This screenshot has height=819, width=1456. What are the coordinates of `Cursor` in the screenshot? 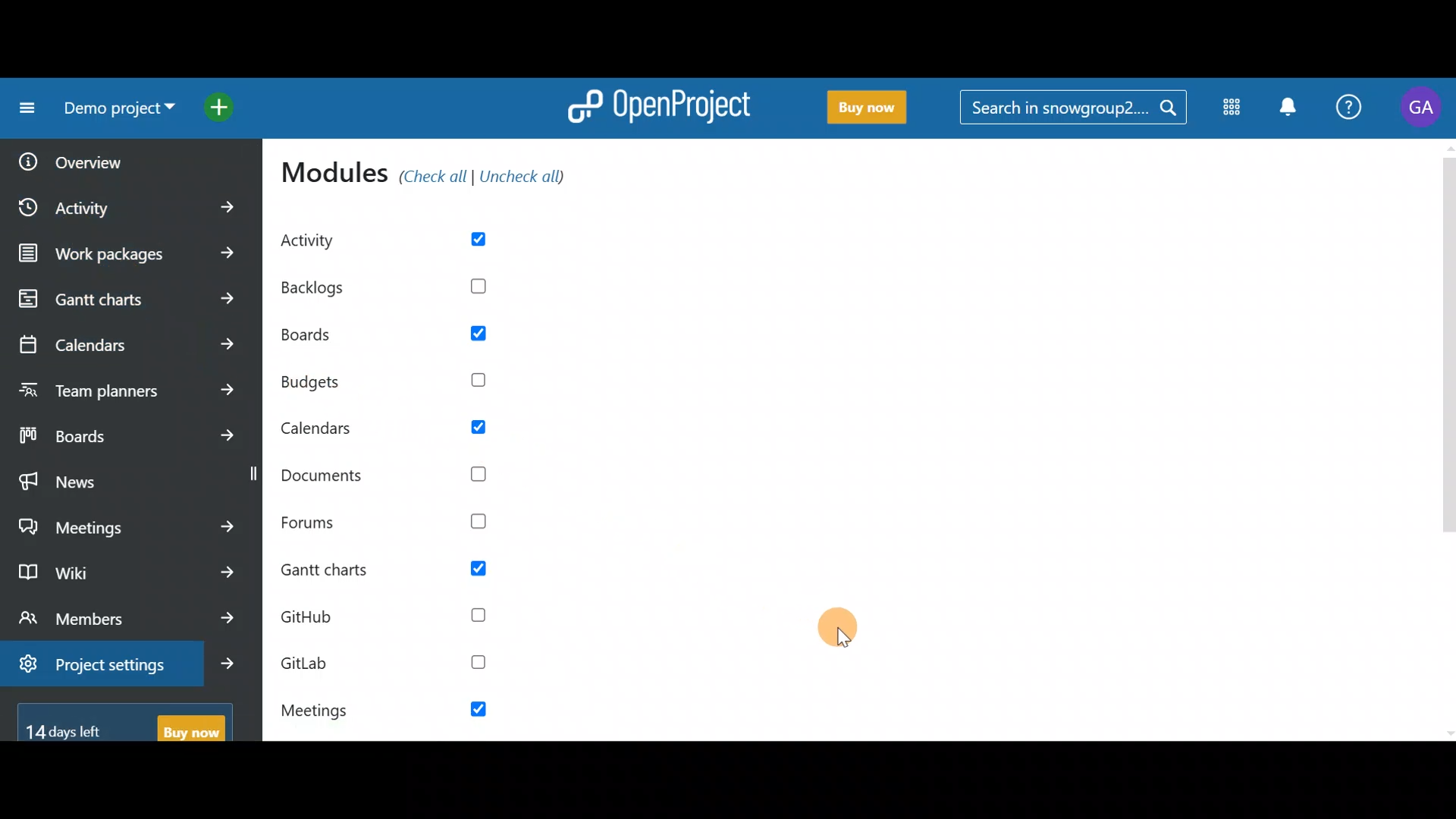 It's located at (837, 627).